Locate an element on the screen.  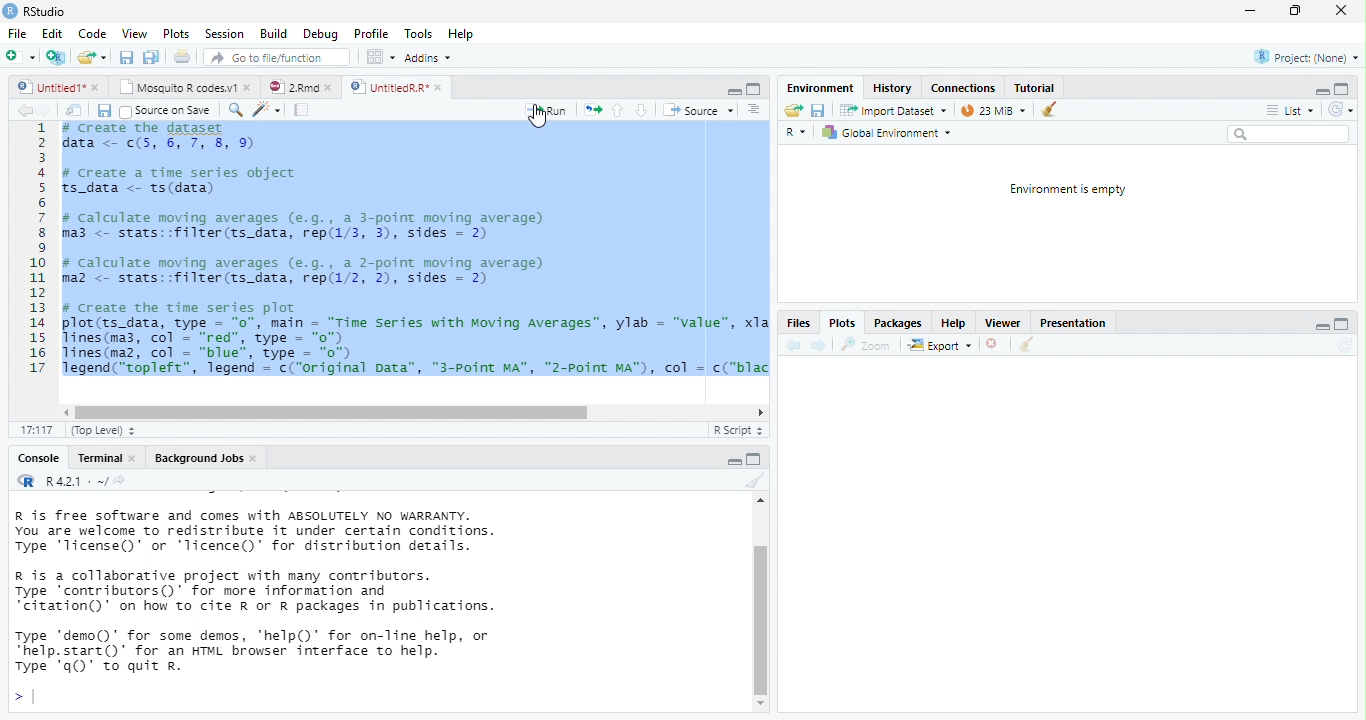
Debug is located at coordinates (320, 34).